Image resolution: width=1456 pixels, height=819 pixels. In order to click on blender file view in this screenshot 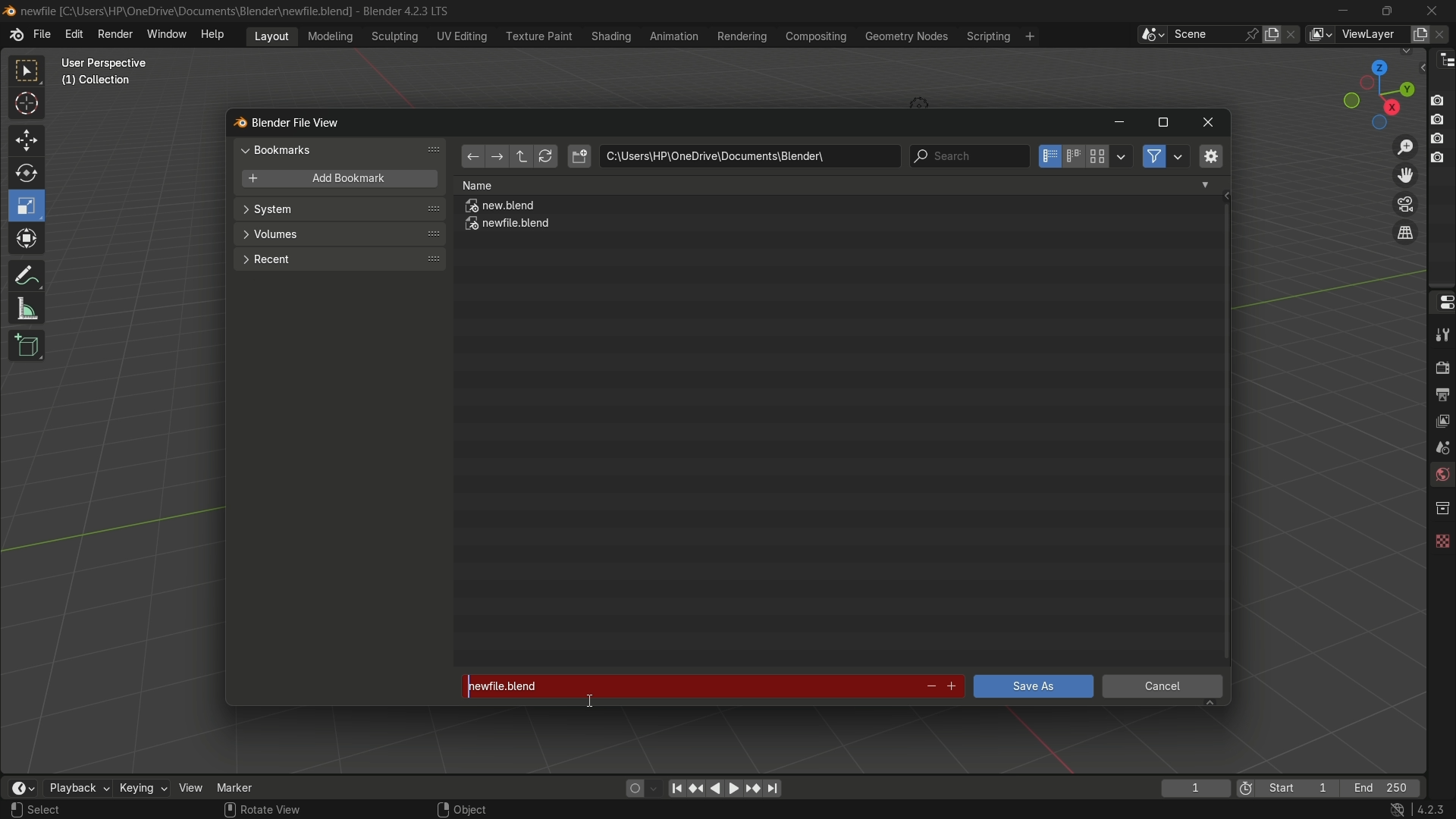, I will do `click(298, 121)`.